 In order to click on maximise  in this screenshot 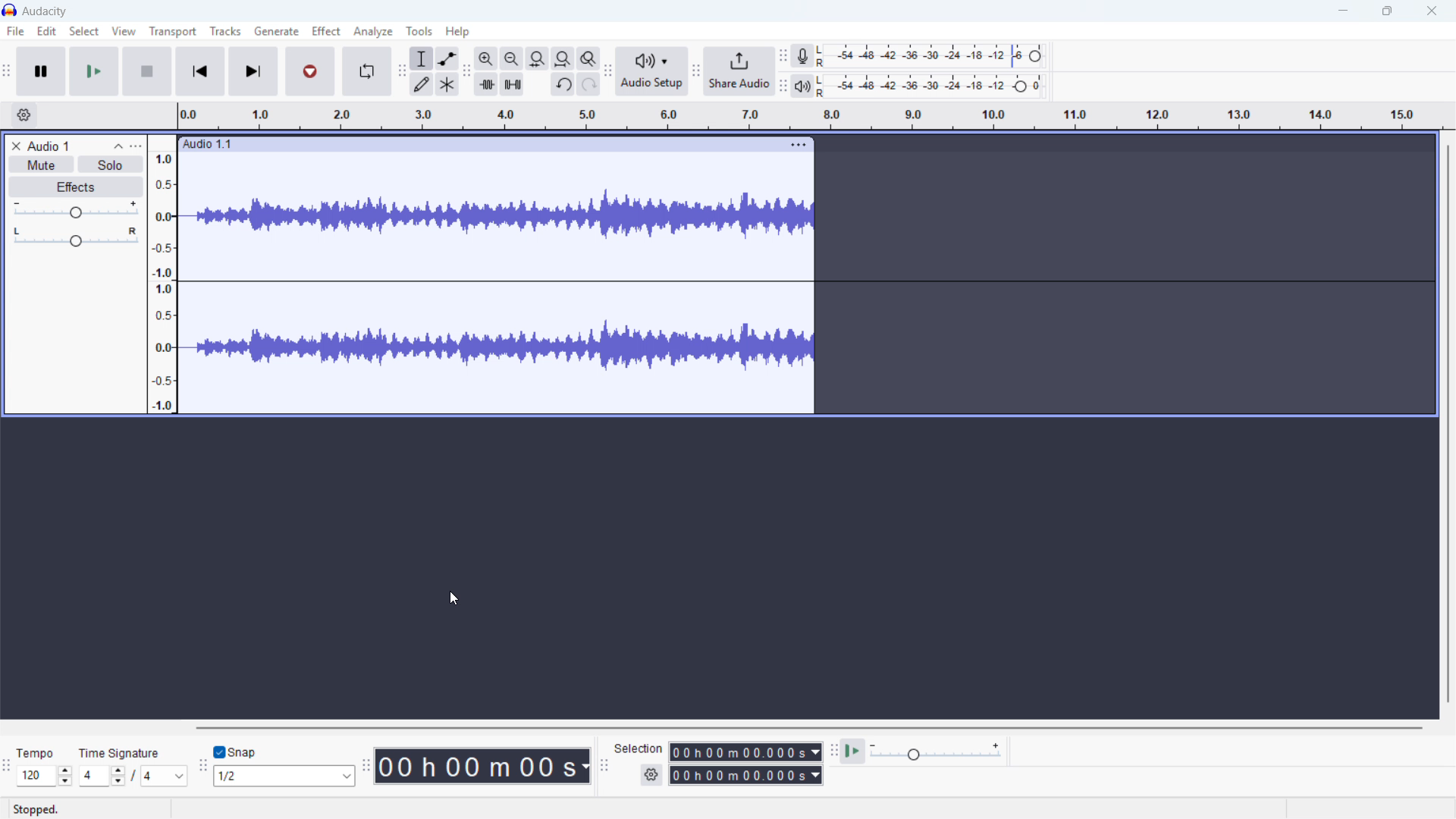, I will do `click(1388, 11)`.